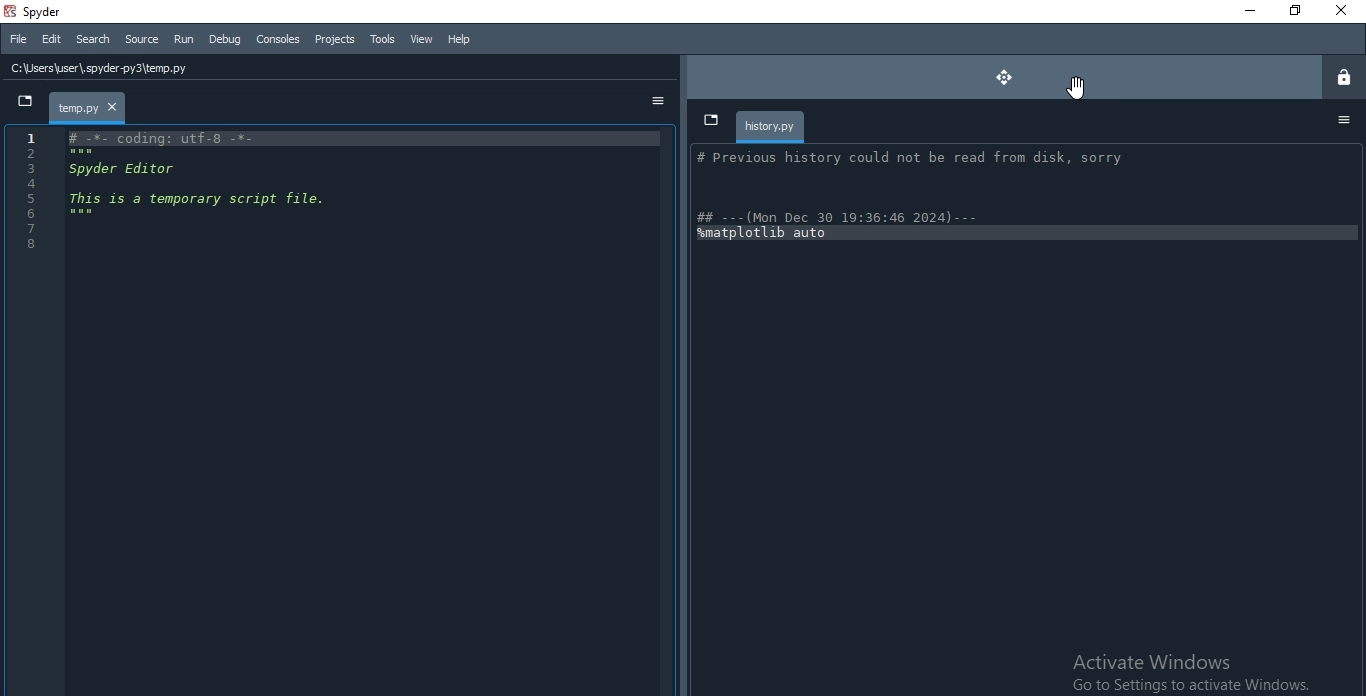 The width and height of the screenshot is (1366, 696). What do you see at coordinates (18, 40) in the screenshot?
I see `File ` at bounding box center [18, 40].